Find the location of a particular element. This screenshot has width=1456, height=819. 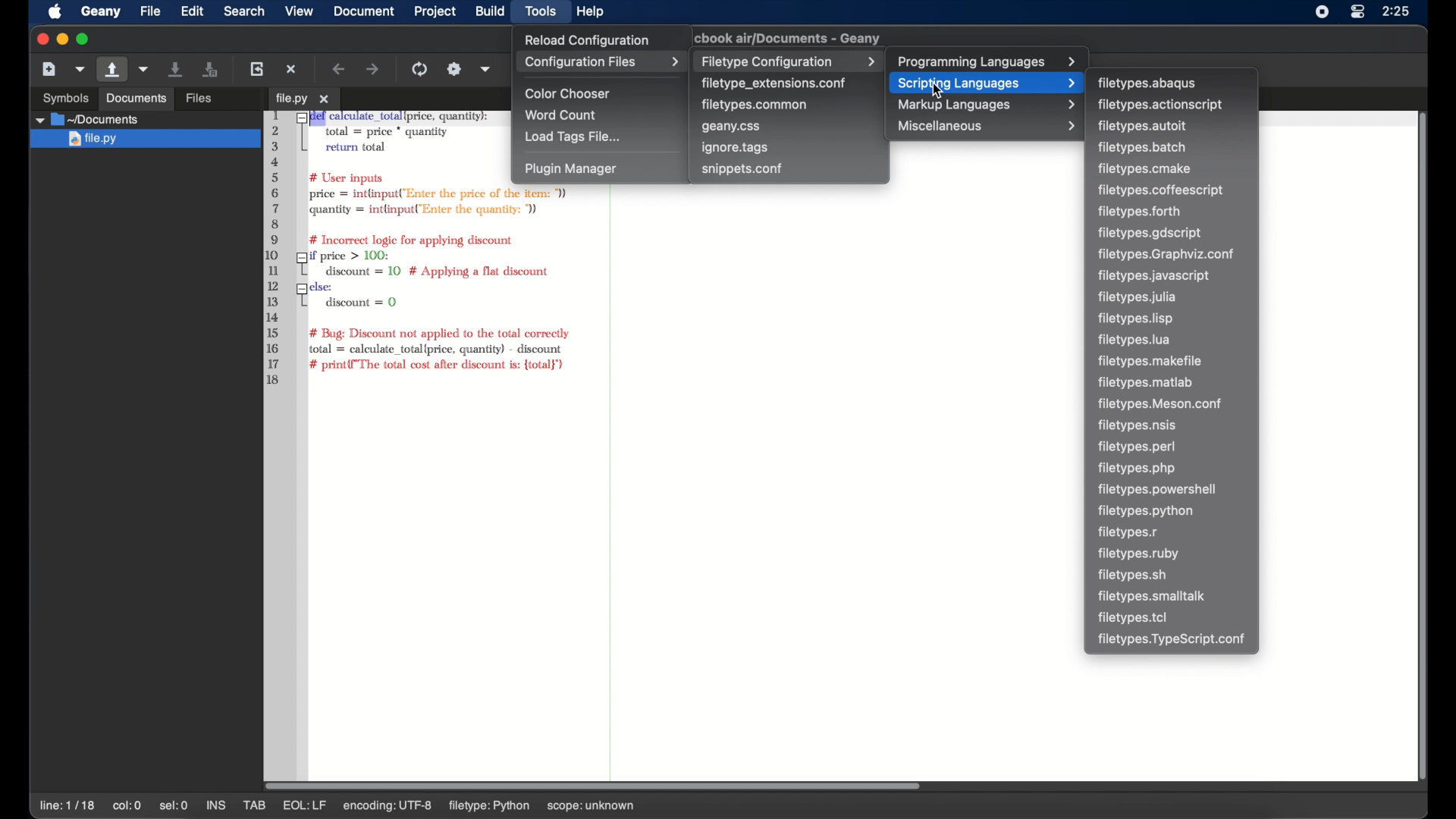

filetypes.common is located at coordinates (756, 104).